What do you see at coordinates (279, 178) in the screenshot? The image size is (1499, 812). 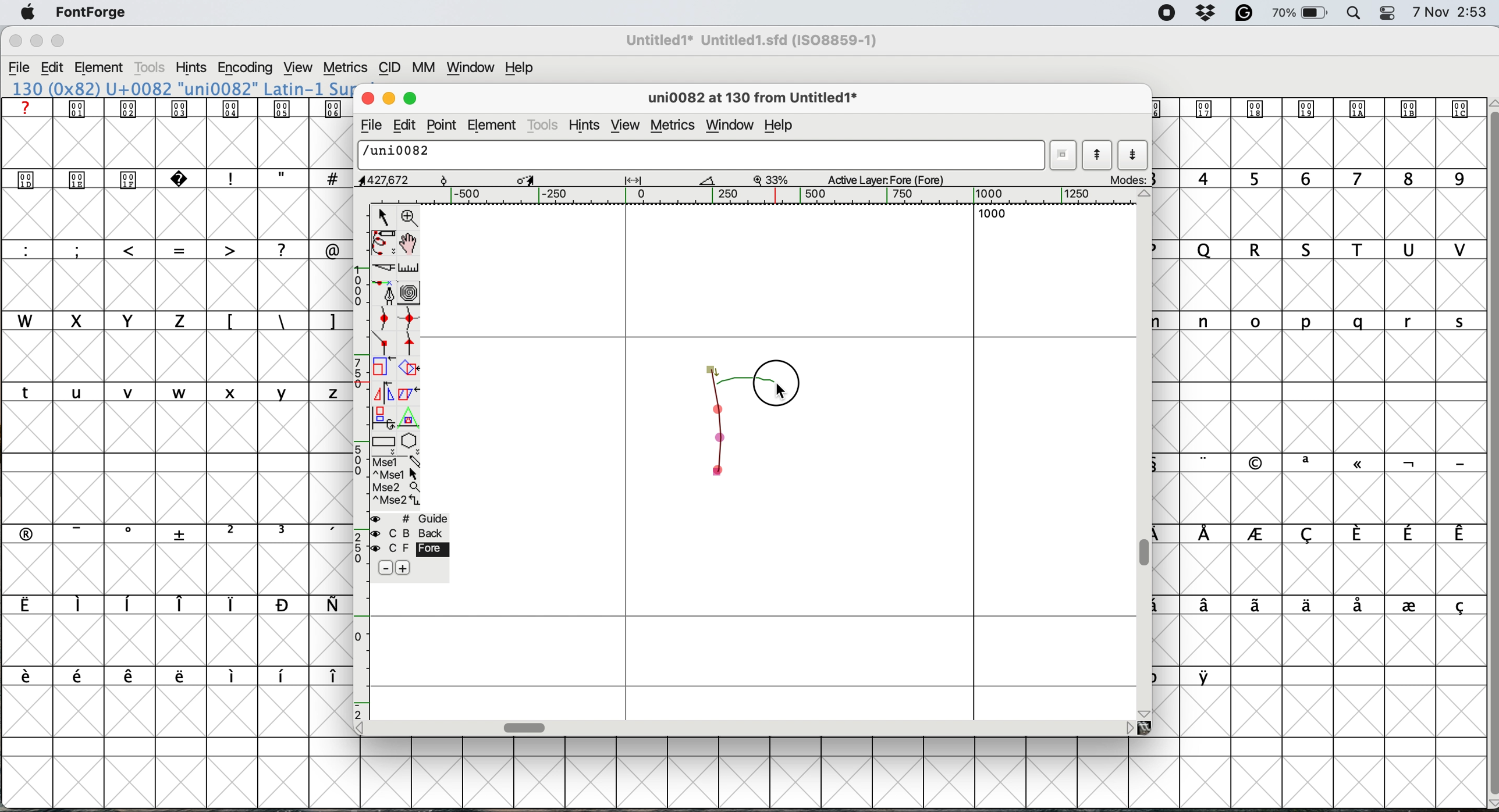 I see `special characters` at bounding box center [279, 178].